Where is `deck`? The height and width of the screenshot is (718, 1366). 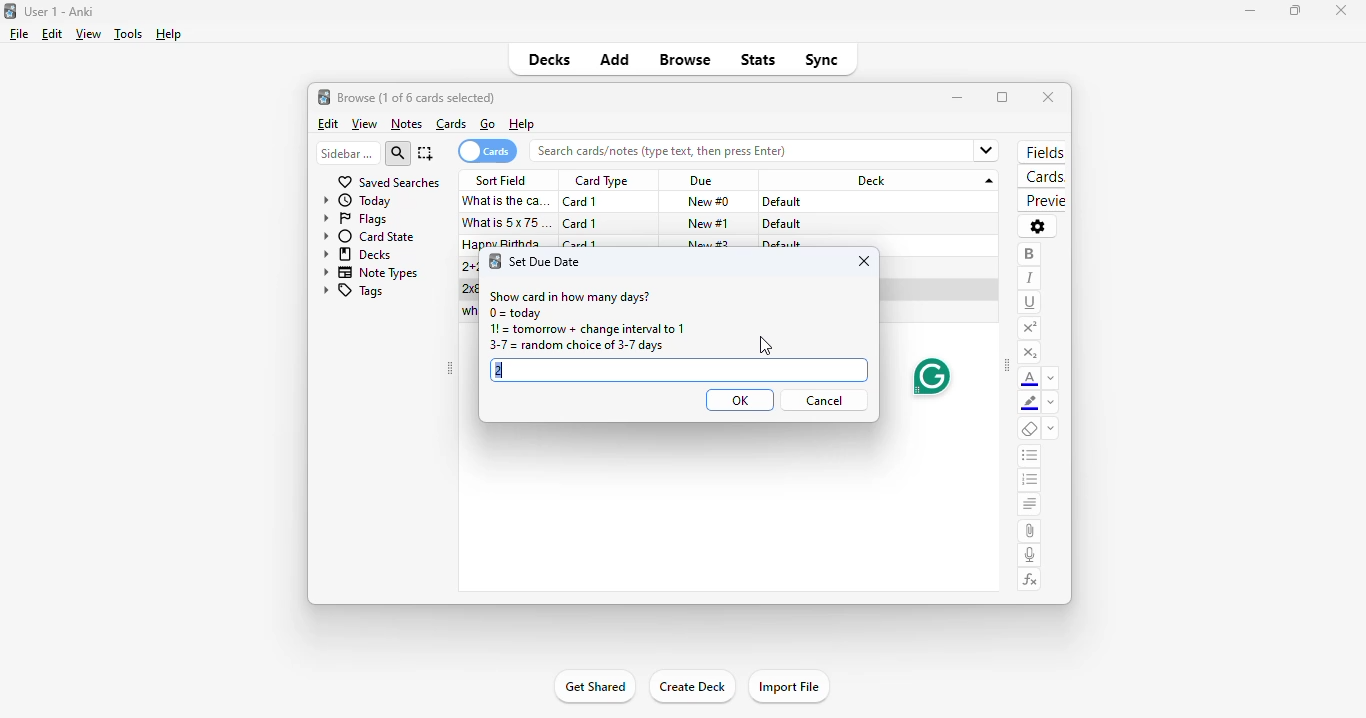 deck is located at coordinates (882, 180).